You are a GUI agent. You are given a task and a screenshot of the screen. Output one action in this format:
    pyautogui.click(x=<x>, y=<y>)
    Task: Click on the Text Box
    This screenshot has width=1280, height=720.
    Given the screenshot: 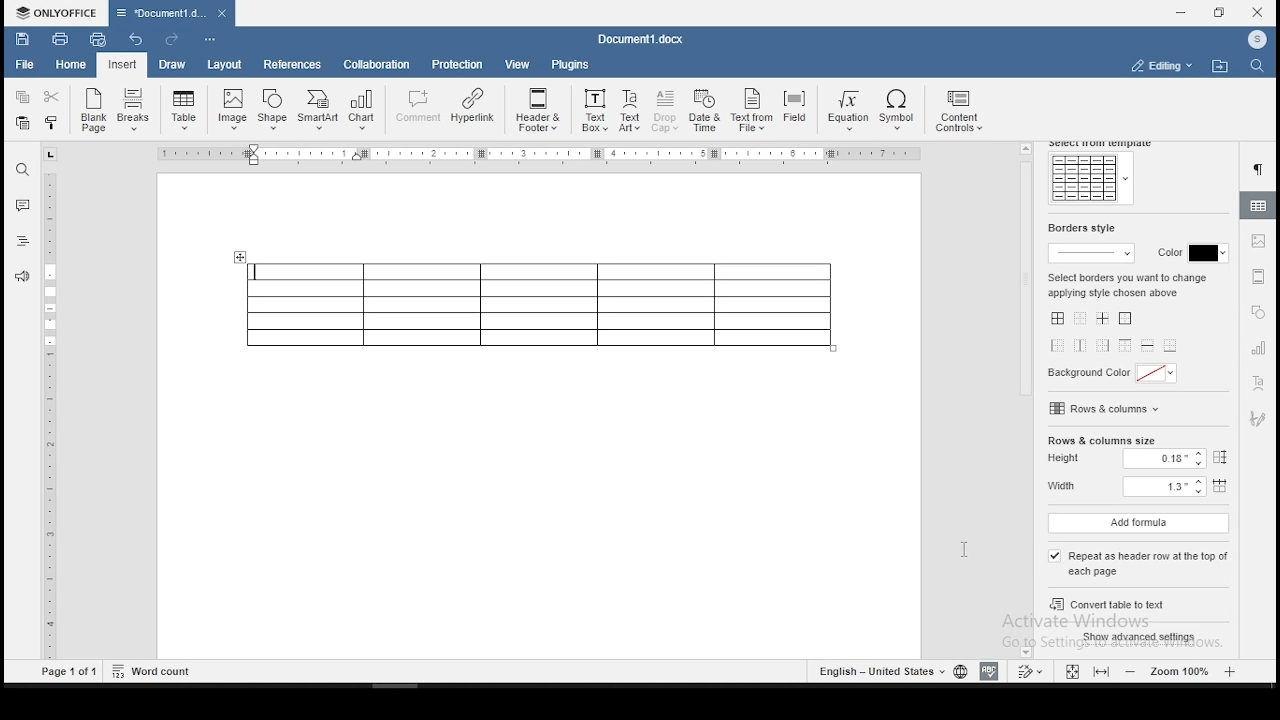 What is the action you would take?
    pyautogui.click(x=593, y=111)
    